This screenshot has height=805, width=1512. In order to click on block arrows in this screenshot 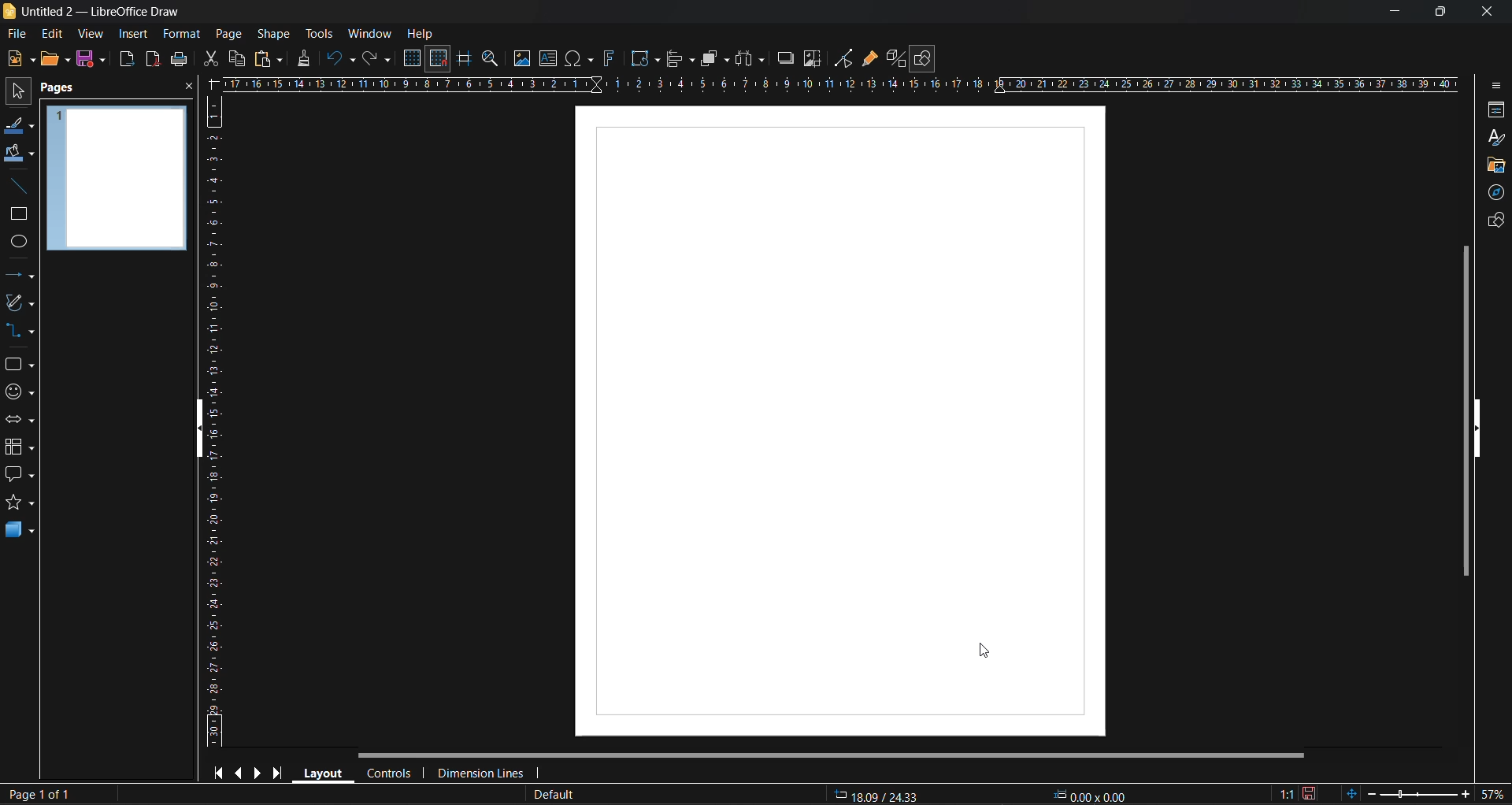, I will do `click(20, 420)`.